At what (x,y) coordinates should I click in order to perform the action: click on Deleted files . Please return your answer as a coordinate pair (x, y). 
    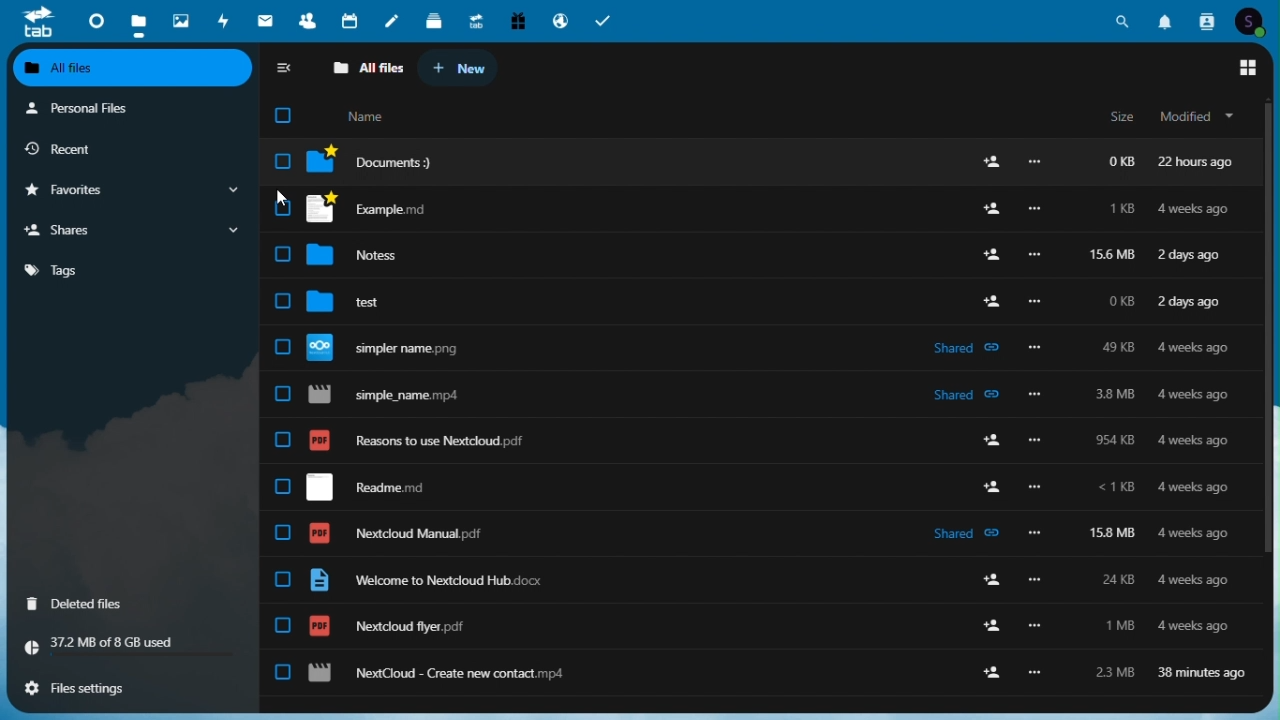
    Looking at the image, I should click on (105, 605).